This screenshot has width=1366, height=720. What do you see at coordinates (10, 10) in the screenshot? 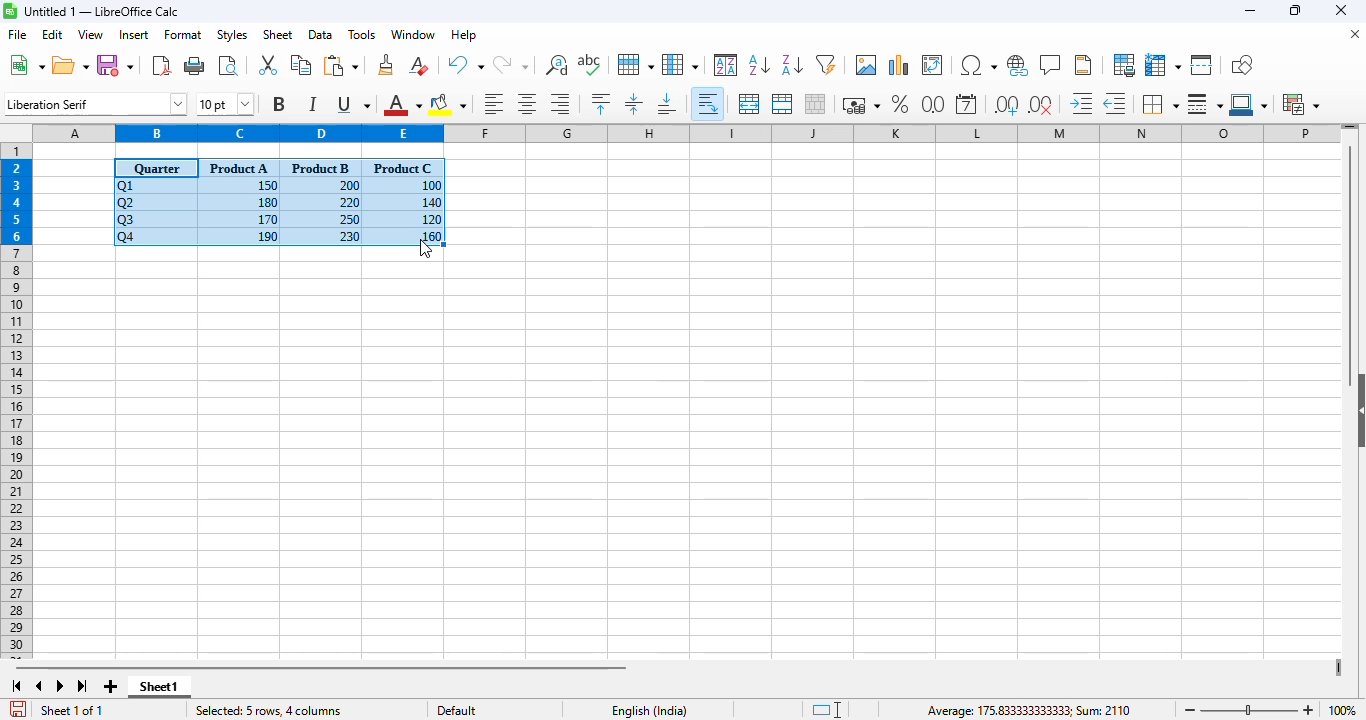
I see `logo` at bounding box center [10, 10].